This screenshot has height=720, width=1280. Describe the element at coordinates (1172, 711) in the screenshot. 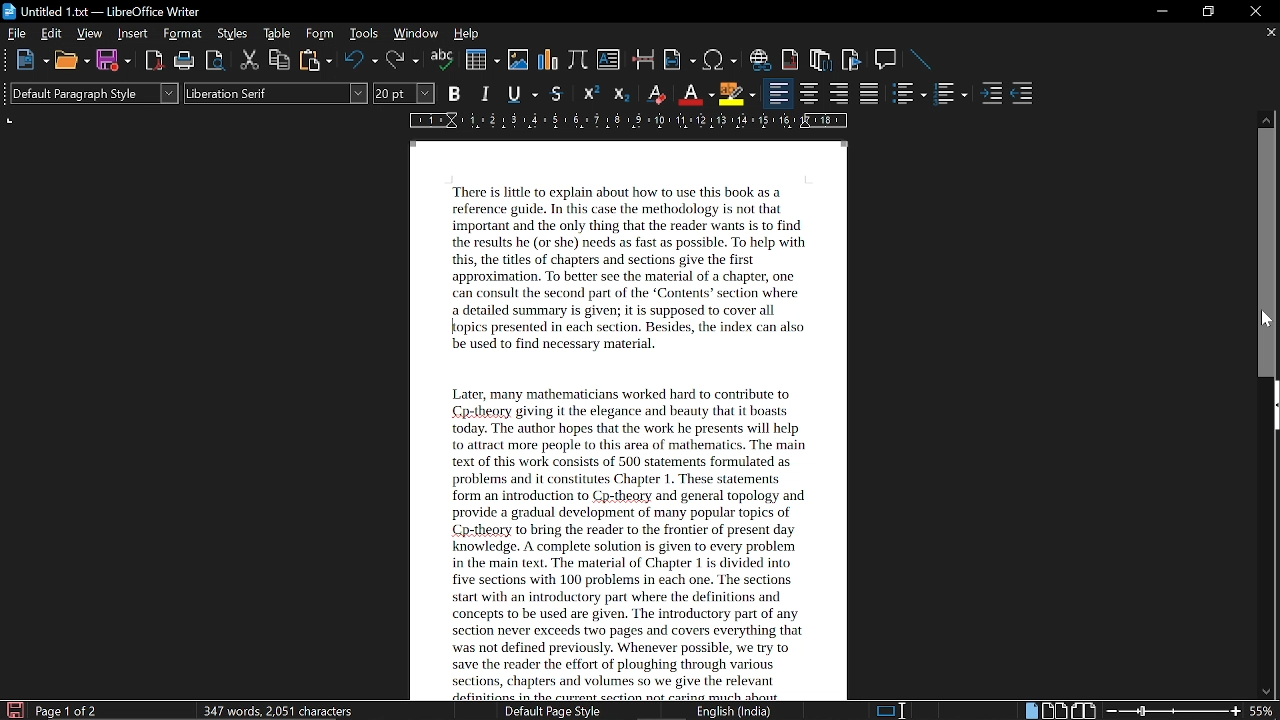

I see `change zoom` at that location.